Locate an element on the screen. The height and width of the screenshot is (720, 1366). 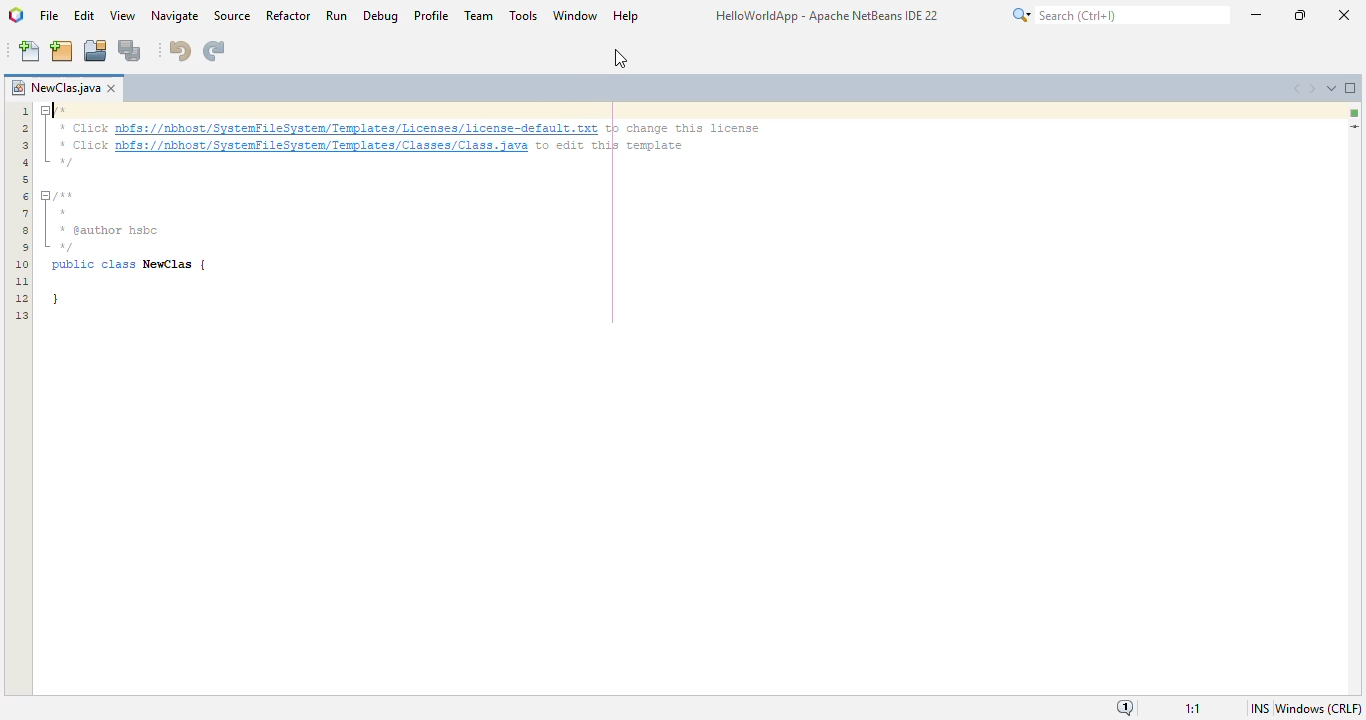
magnification ratio is located at coordinates (1193, 709).